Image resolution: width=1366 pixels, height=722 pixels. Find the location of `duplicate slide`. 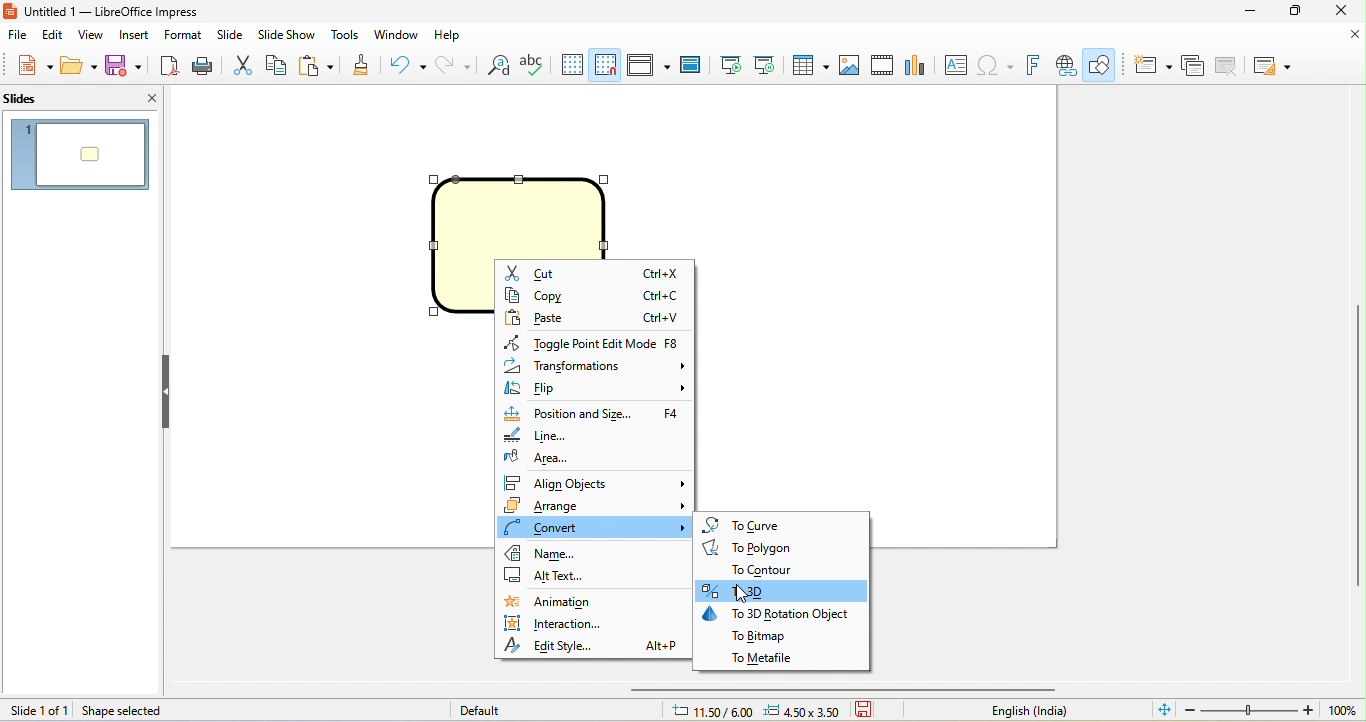

duplicate slide is located at coordinates (1195, 65).